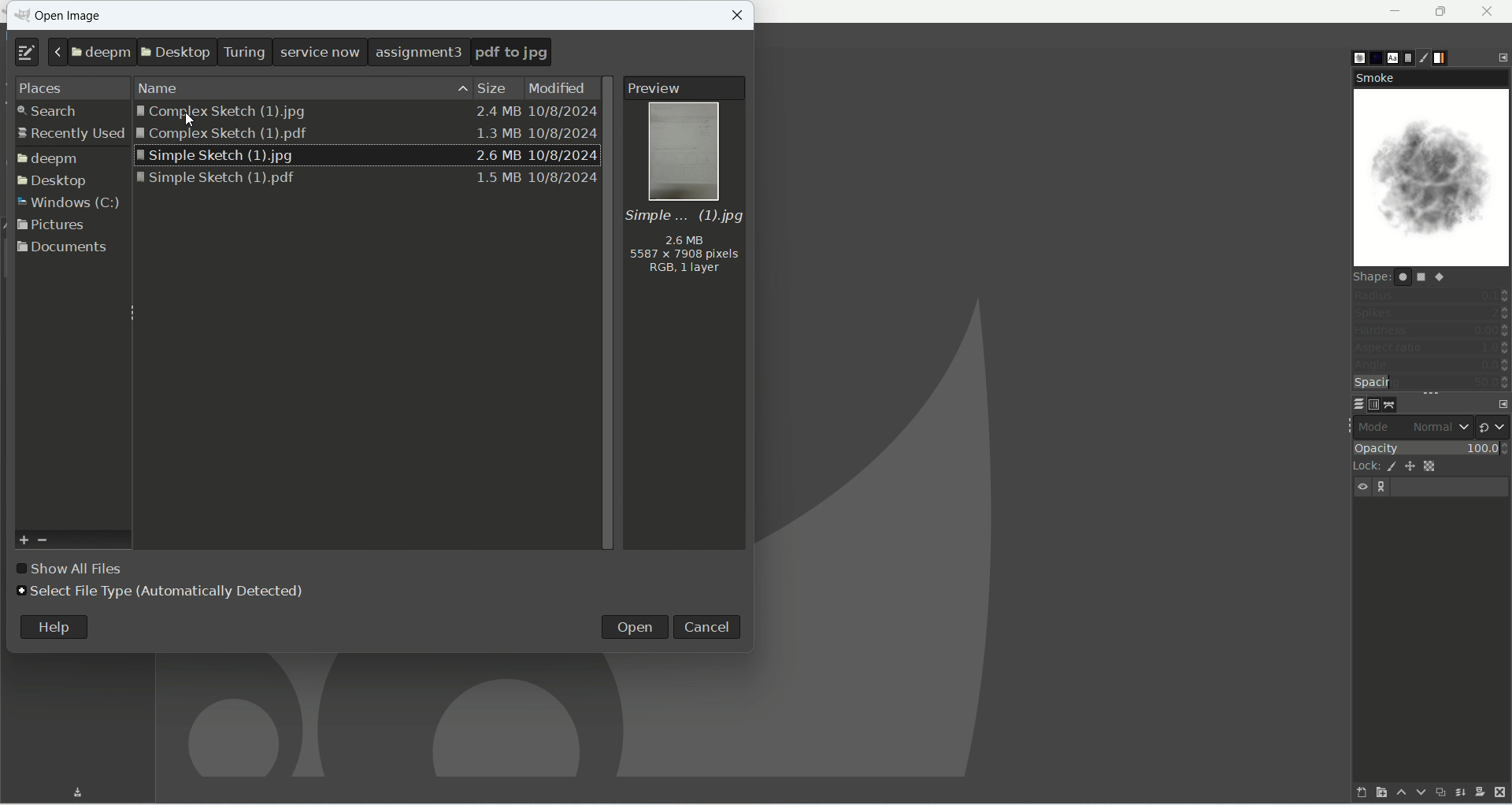 This screenshot has height=805, width=1512. I want to click on fonts, so click(1393, 57).